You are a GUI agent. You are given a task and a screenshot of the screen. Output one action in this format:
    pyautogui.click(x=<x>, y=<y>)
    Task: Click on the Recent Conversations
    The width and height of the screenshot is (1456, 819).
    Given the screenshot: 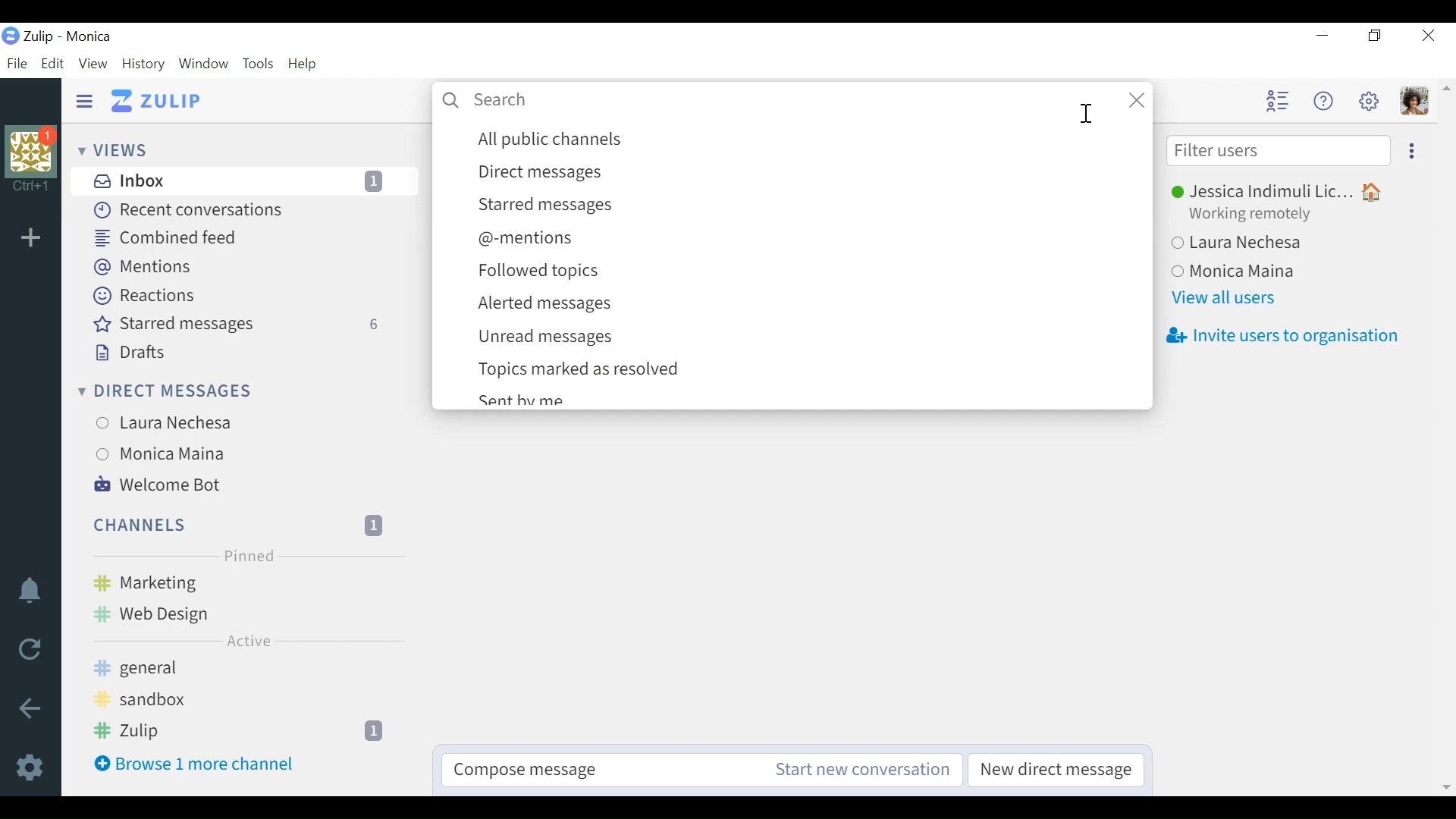 What is the action you would take?
    pyautogui.click(x=192, y=211)
    